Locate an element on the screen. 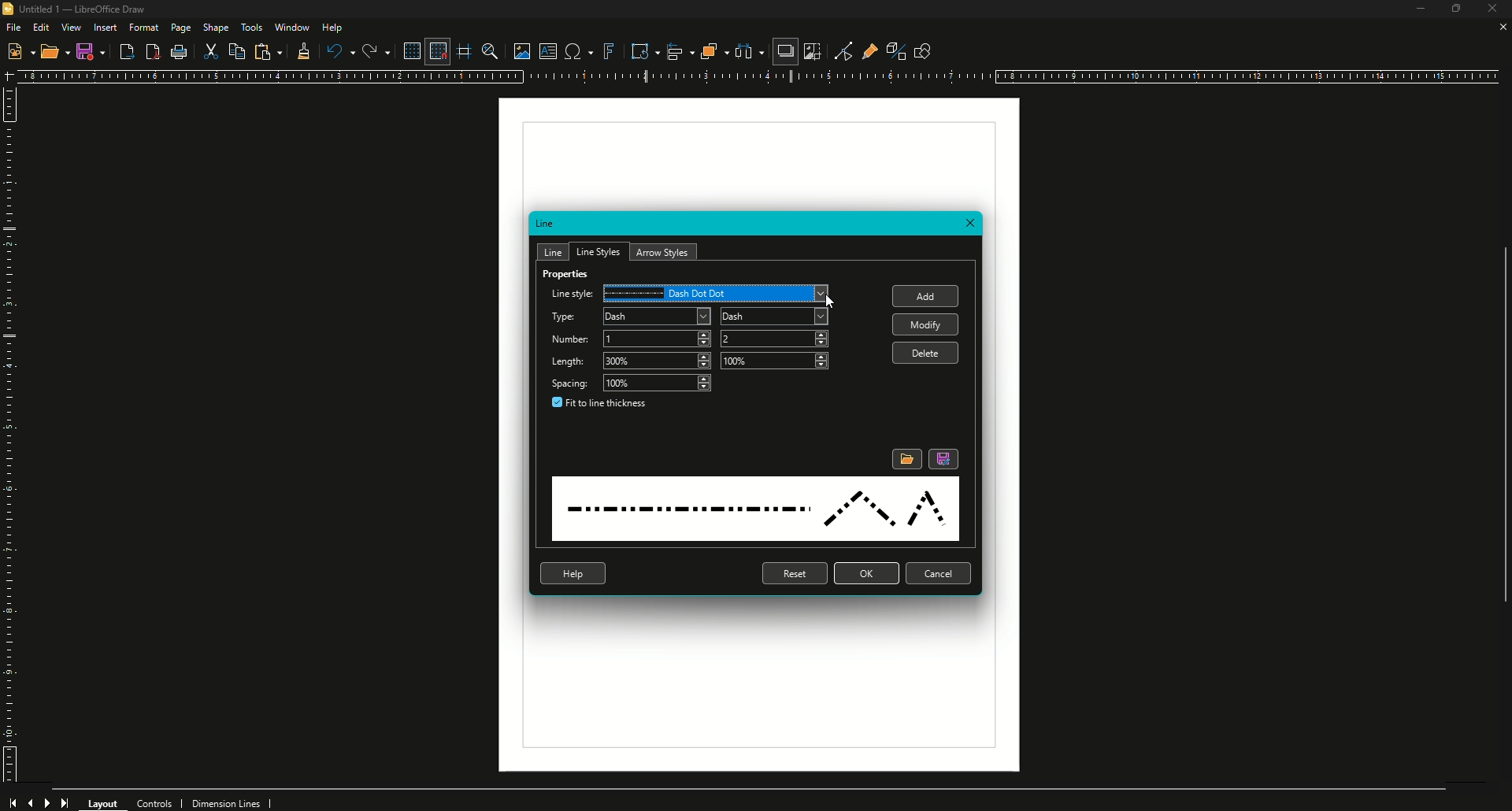  100% is located at coordinates (774, 360).